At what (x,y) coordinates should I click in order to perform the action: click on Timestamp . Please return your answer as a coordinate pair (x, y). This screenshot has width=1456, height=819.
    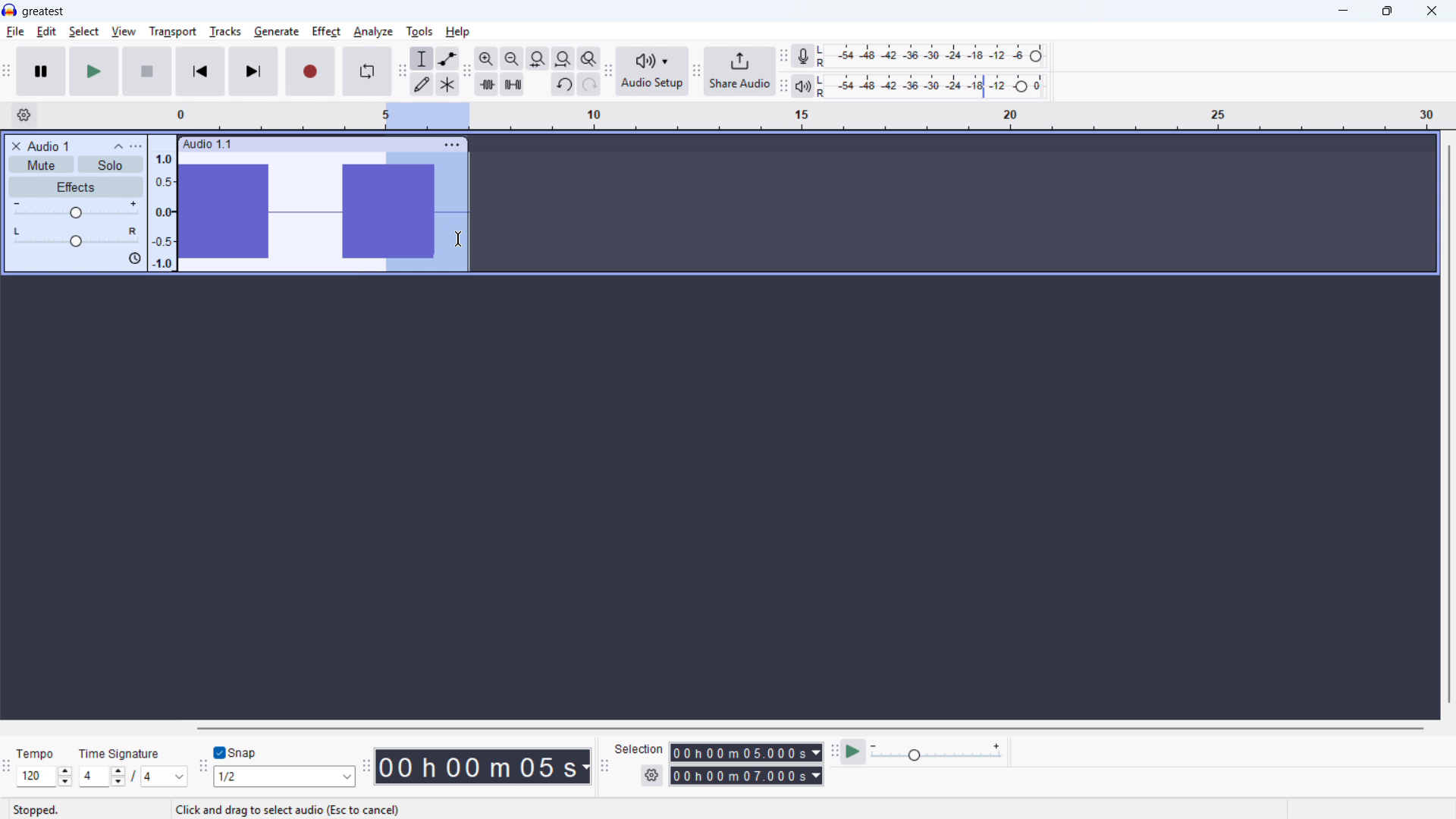
    Looking at the image, I should click on (484, 765).